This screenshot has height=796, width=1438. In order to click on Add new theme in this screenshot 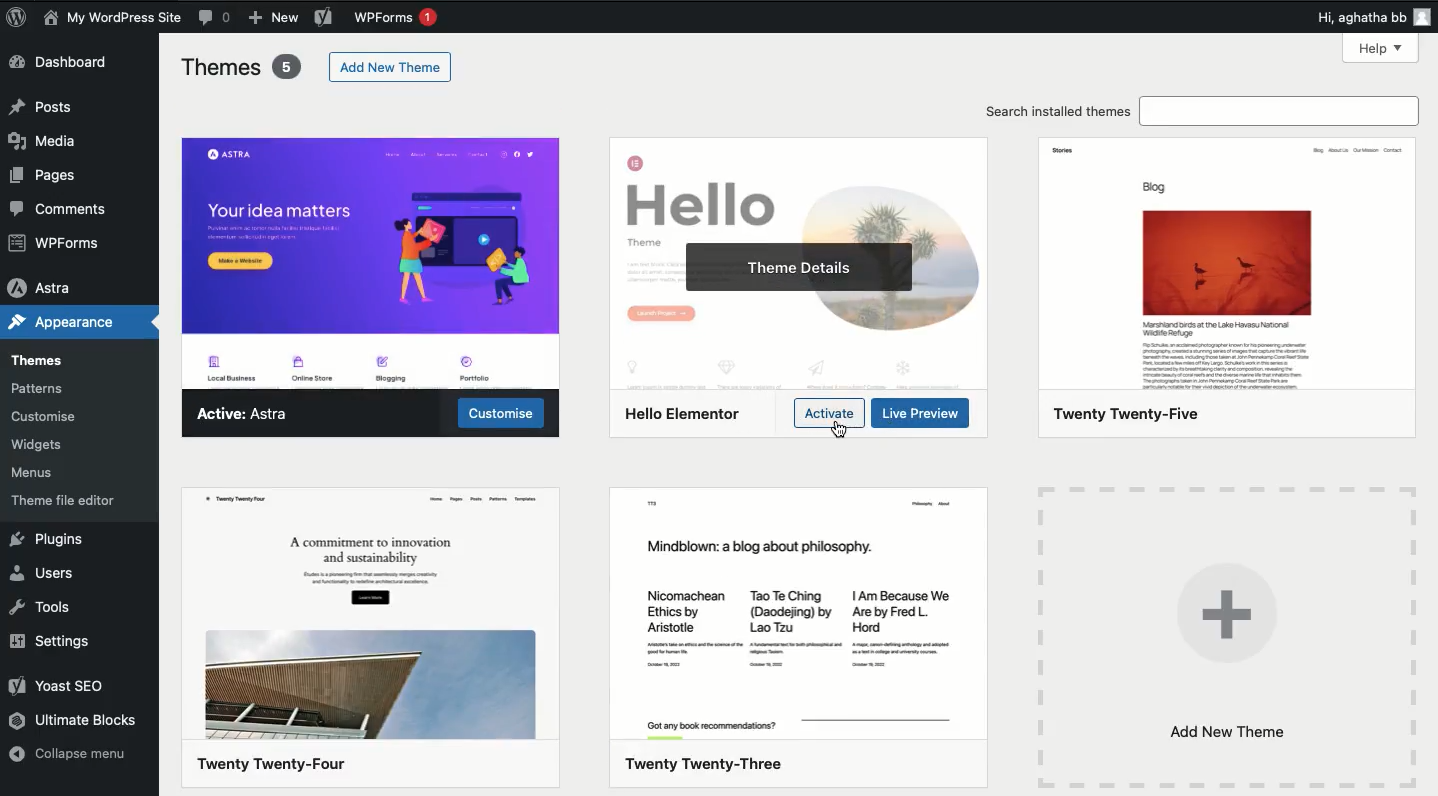, I will do `click(1226, 635)`.